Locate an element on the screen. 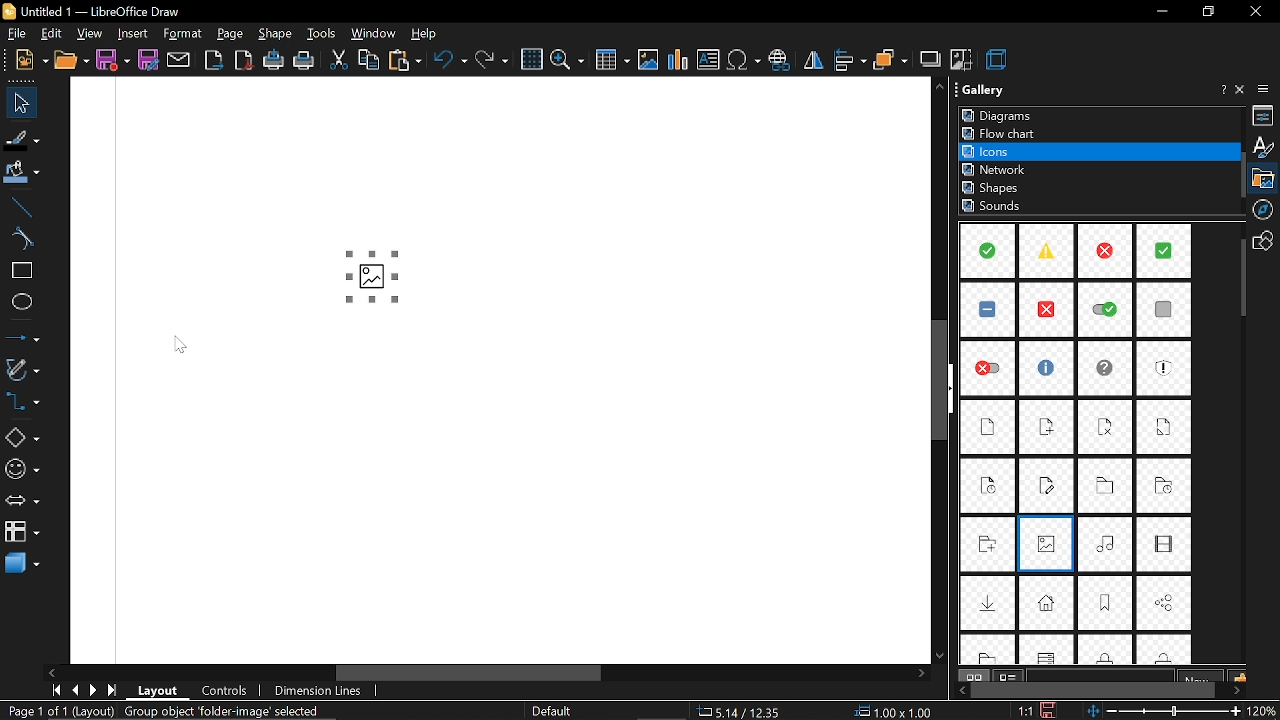 Image resolution: width=1280 pixels, height=720 pixels. move right is located at coordinates (1237, 689).